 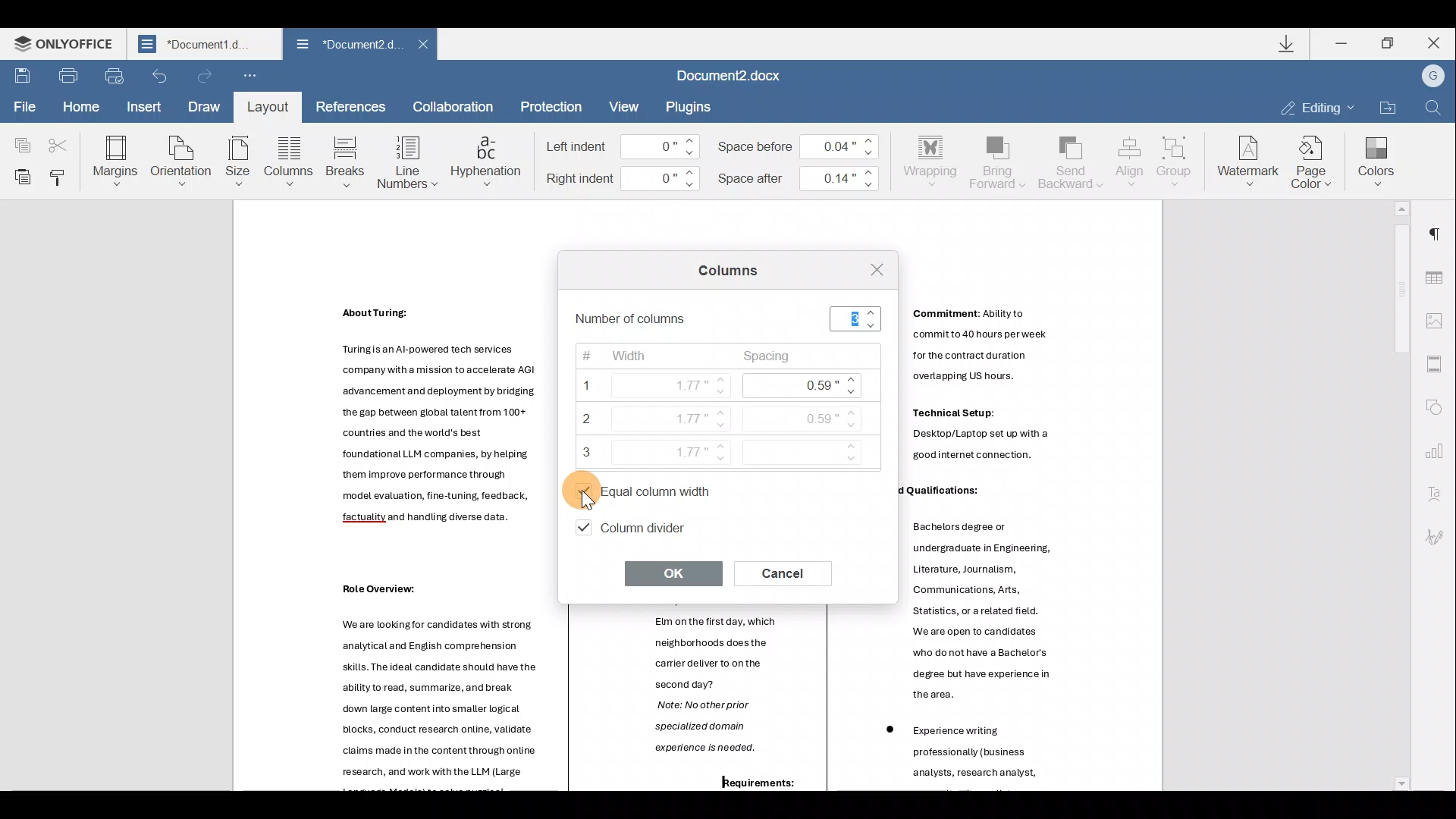 I want to click on Right indent, so click(x=623, y=179).